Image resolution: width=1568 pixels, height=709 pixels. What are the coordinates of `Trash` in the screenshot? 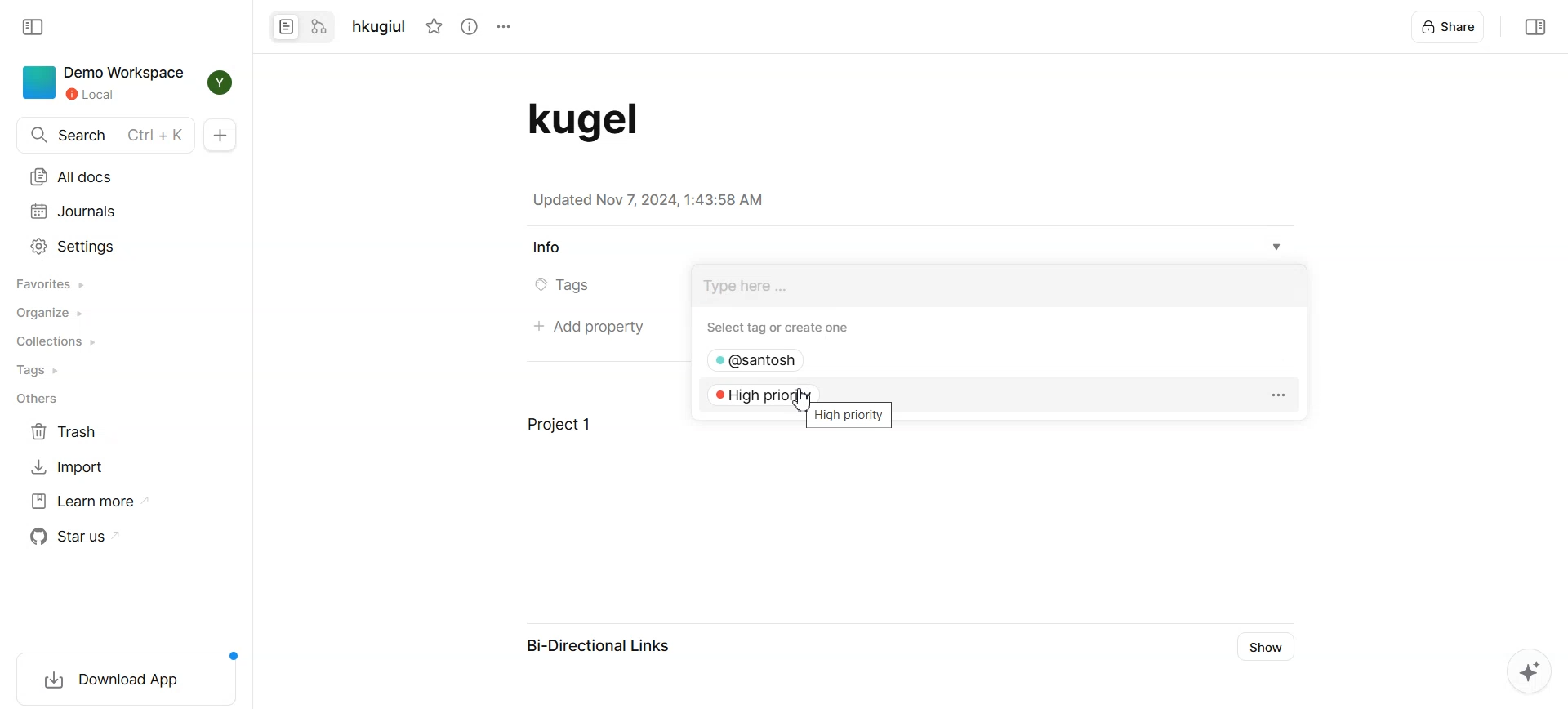 It's located at (69, 431).